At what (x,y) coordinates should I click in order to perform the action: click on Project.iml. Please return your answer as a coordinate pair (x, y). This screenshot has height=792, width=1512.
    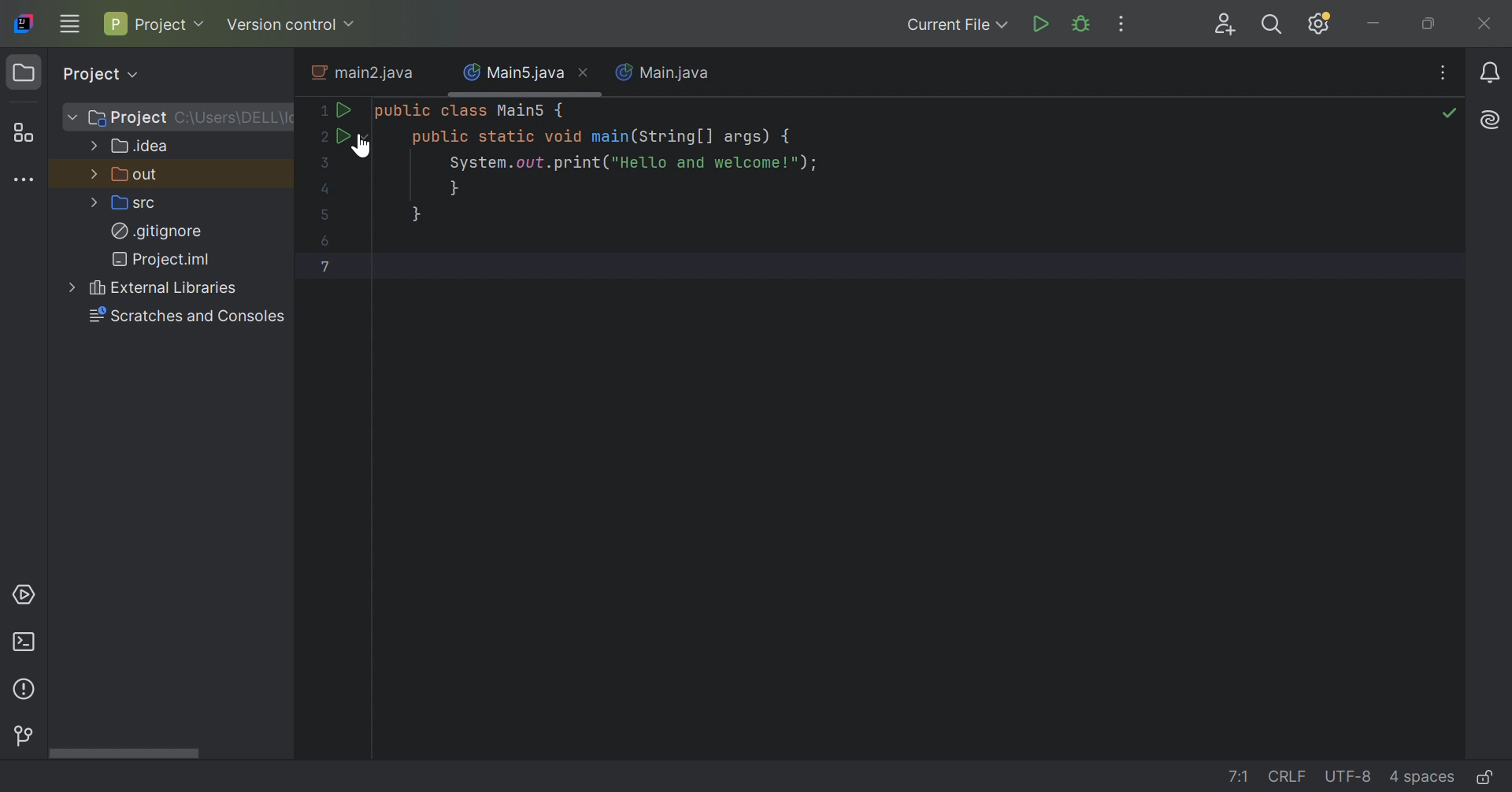
    Looking at the image, I should click on (166, 260).